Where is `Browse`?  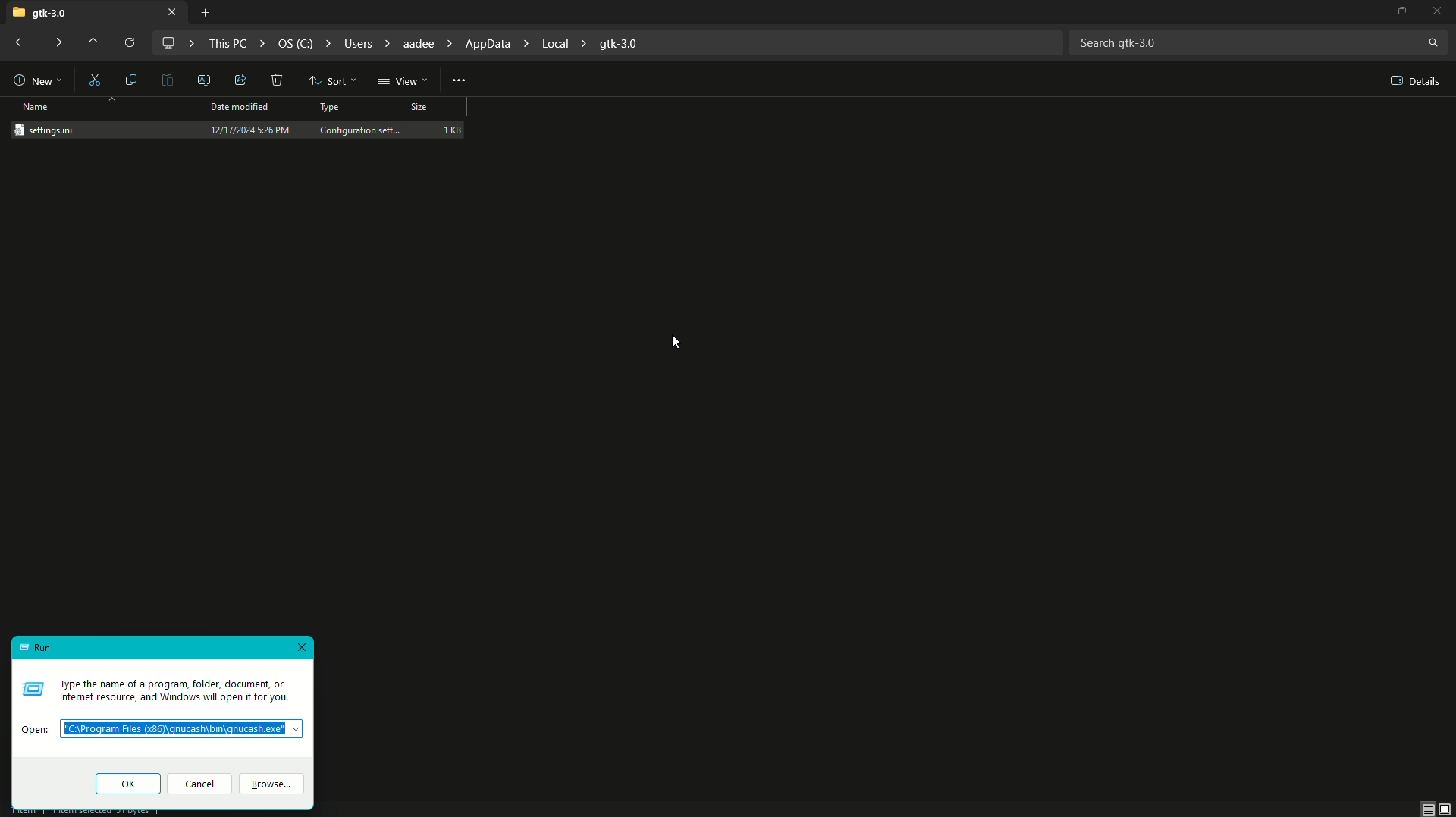 Browse is located at coordinates (276, 785).